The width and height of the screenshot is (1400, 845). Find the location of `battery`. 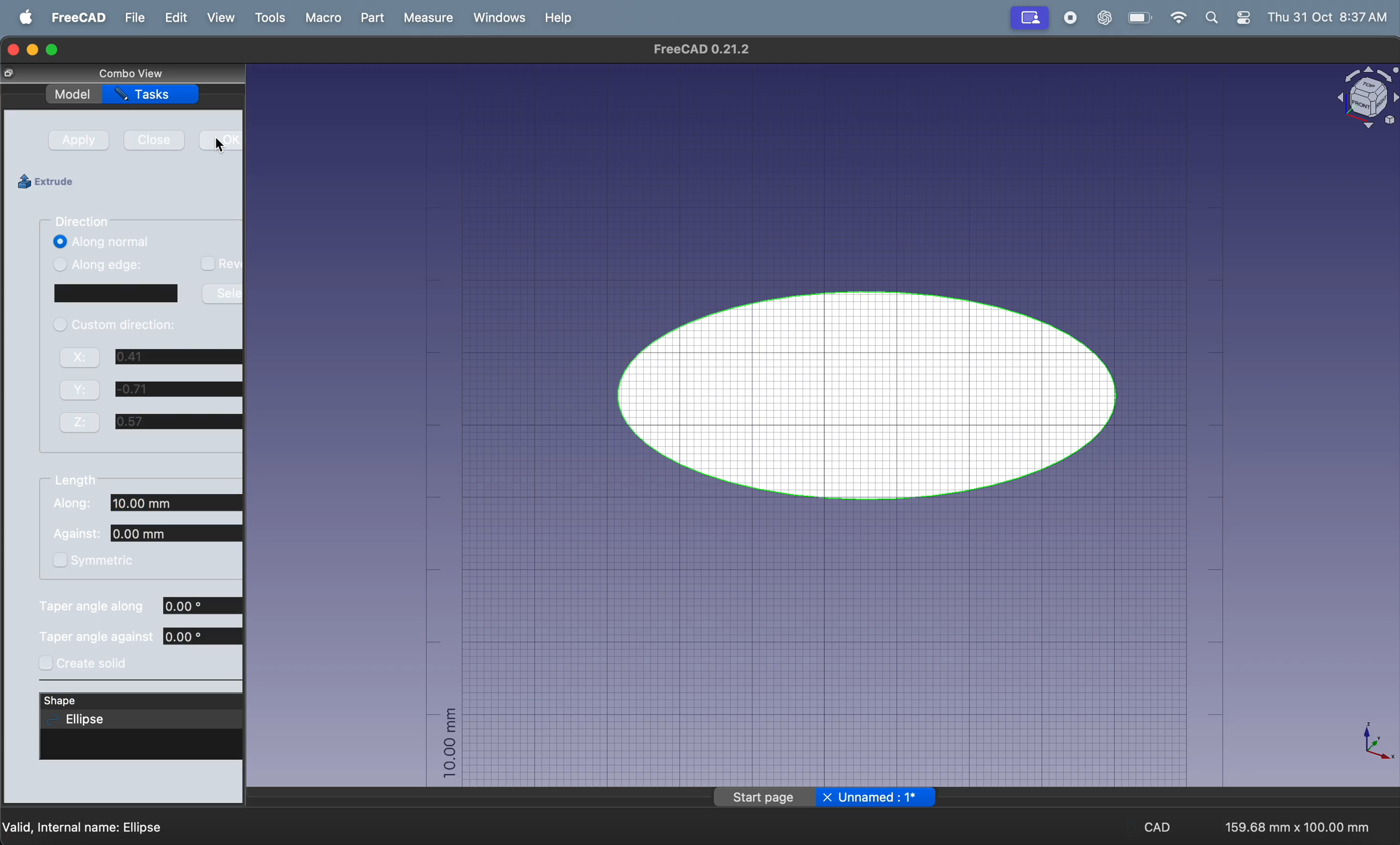

battery is located at coordinates (1138, 18).